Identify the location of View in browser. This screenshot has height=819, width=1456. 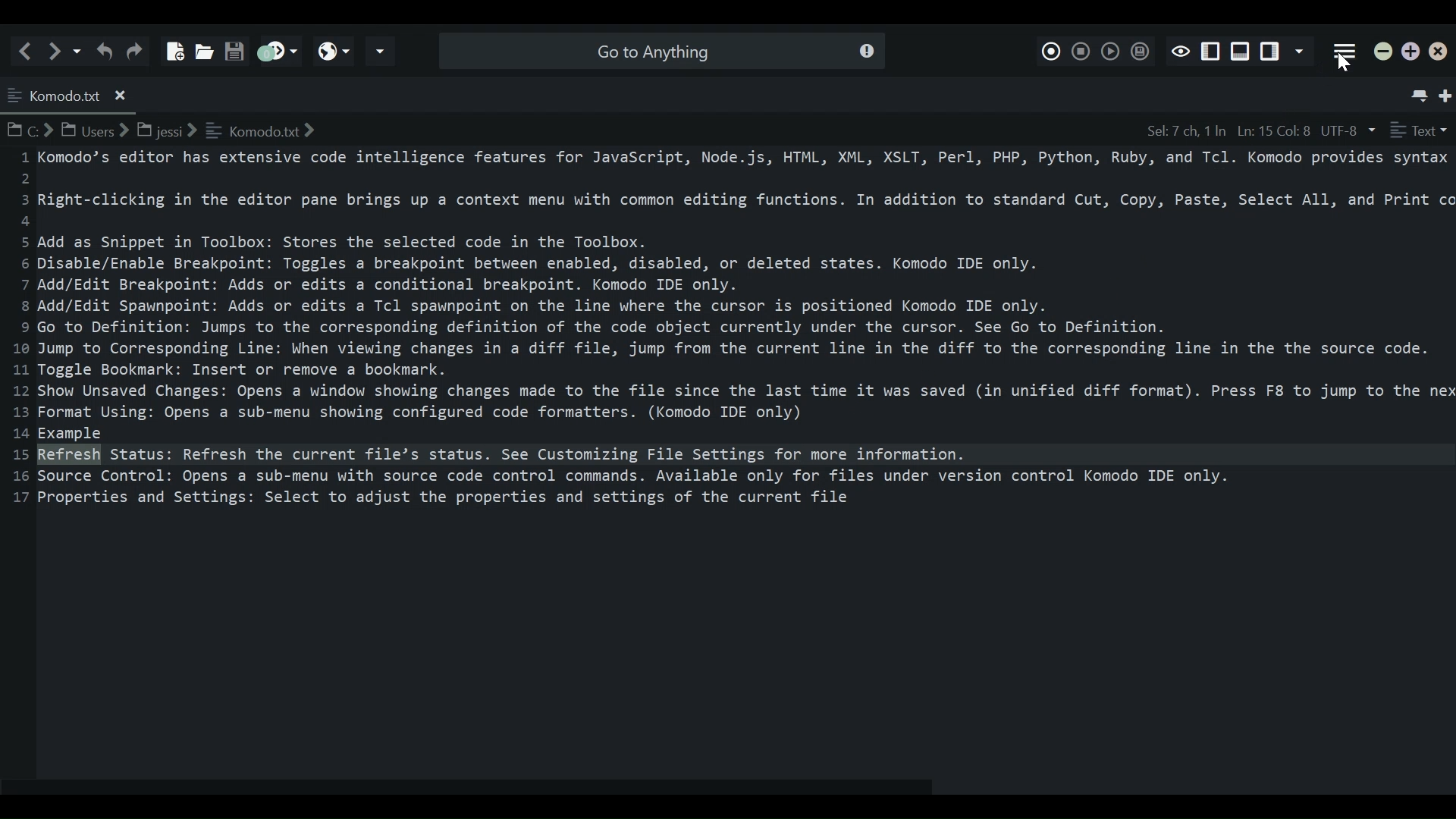
(334, 51).